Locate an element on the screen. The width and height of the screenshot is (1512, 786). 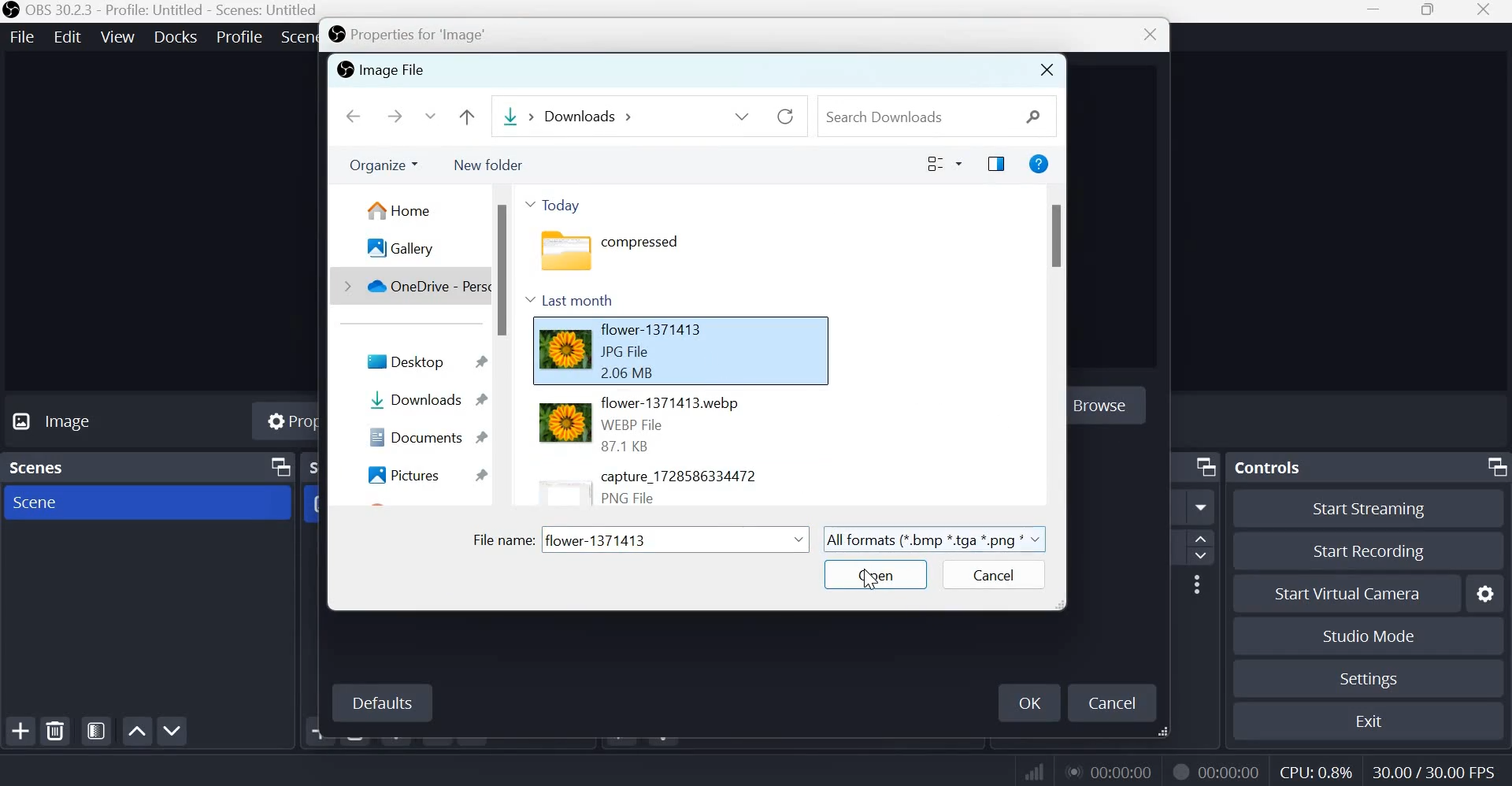
profile is located at coordinates (241, 35).